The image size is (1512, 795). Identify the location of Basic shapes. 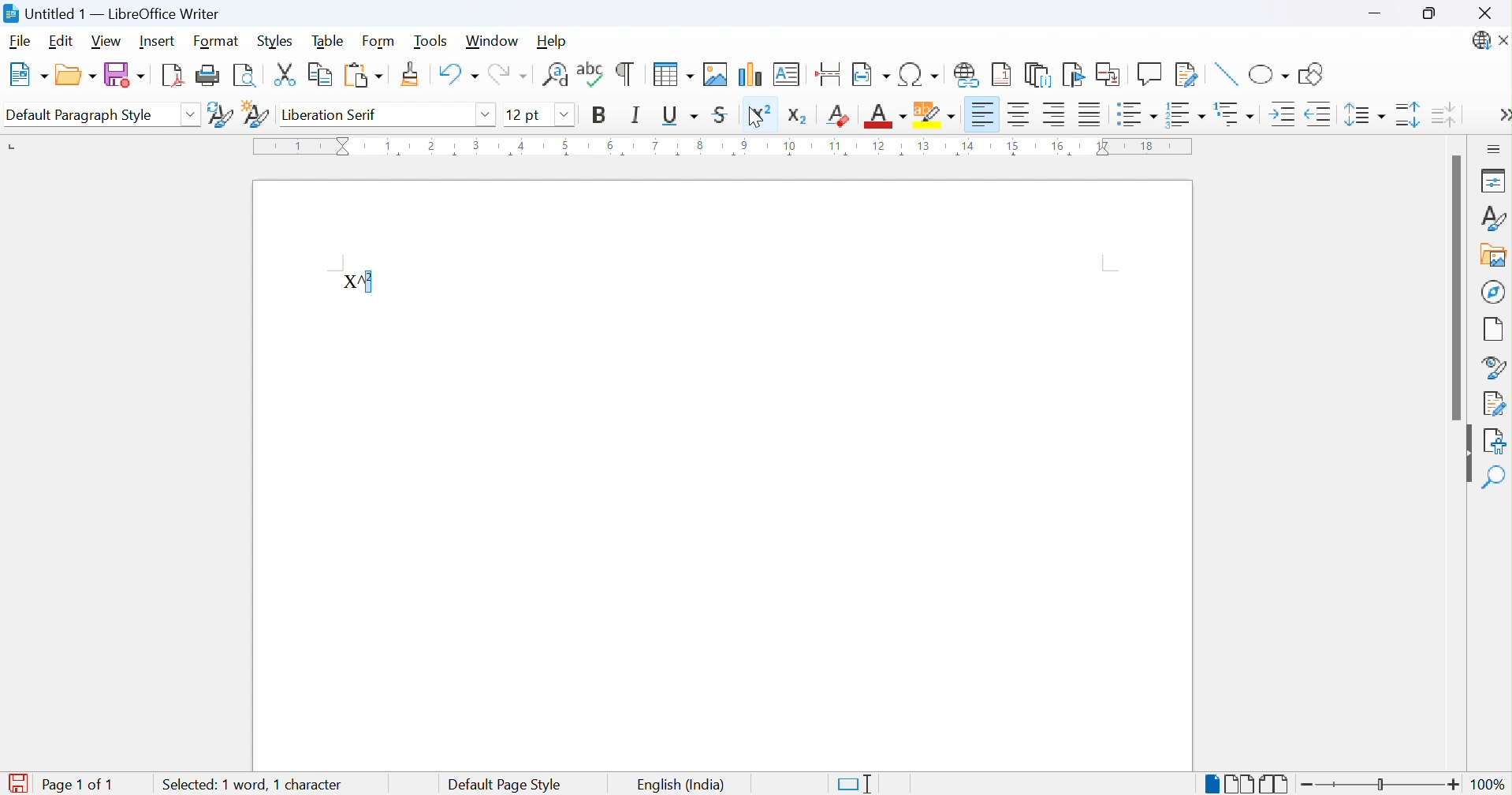
(1271, 75).